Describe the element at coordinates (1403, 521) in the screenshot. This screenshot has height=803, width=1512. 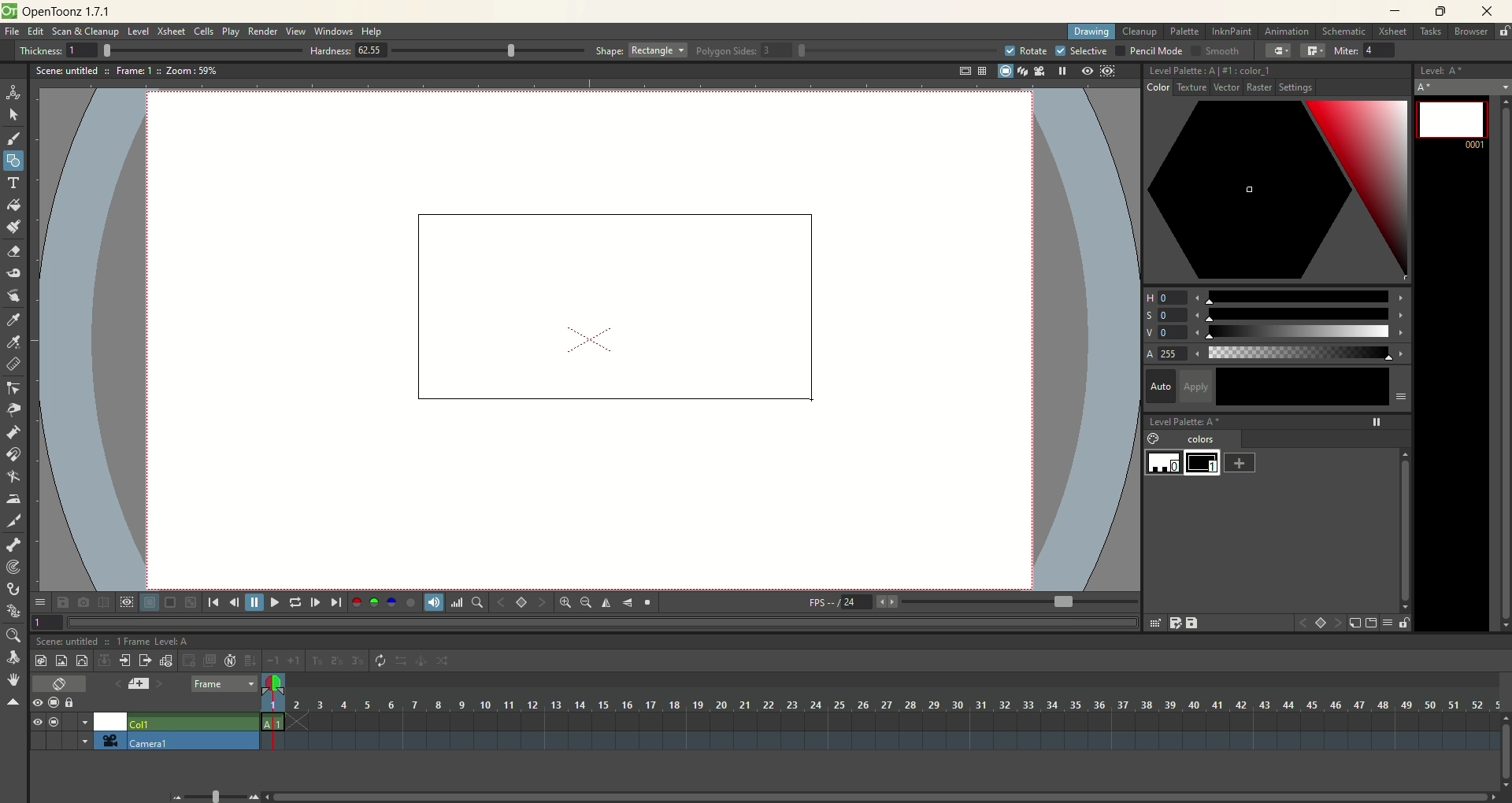
I see `verical scrollbar` at that location.